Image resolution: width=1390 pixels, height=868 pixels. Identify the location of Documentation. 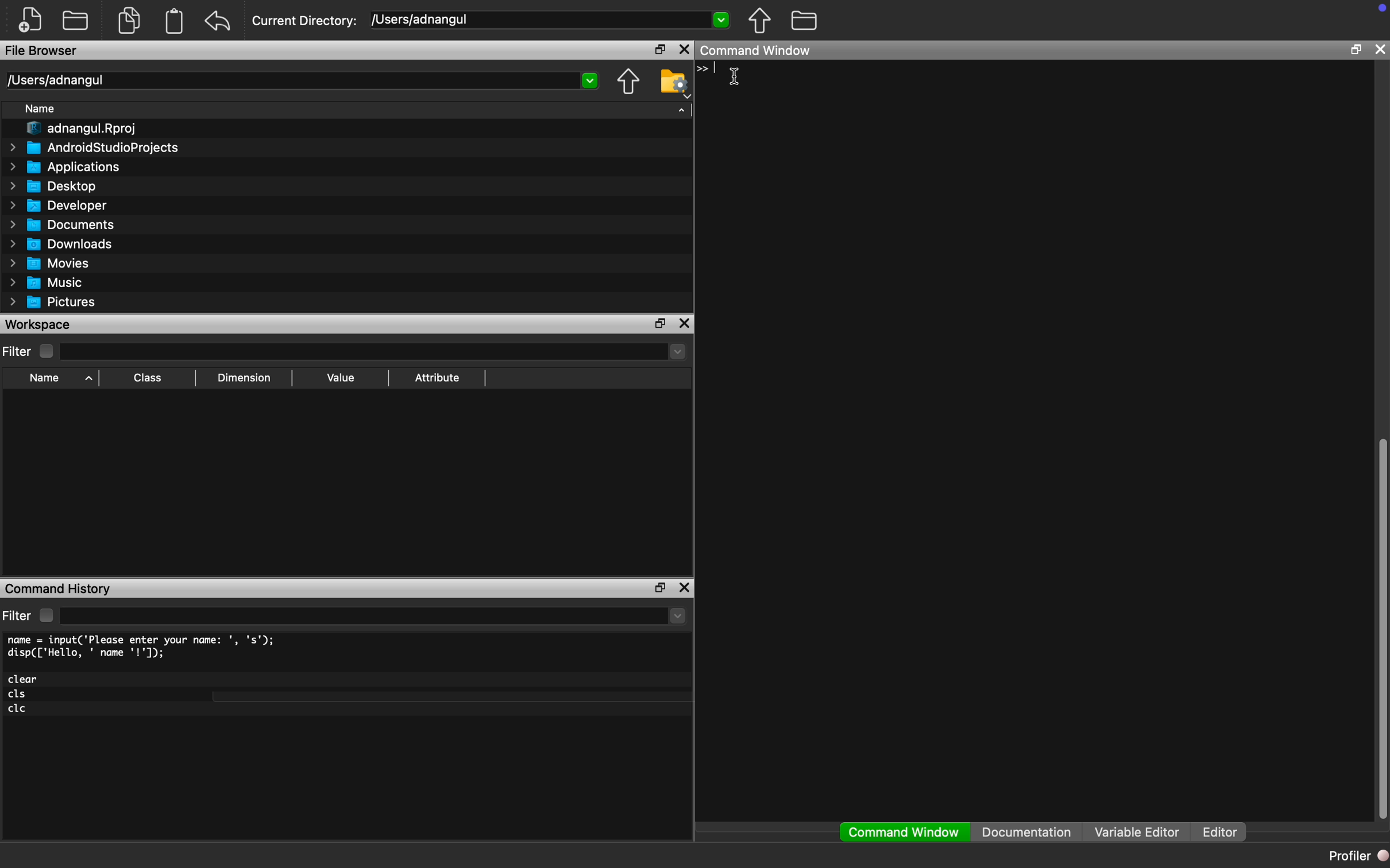
(1026, 832).